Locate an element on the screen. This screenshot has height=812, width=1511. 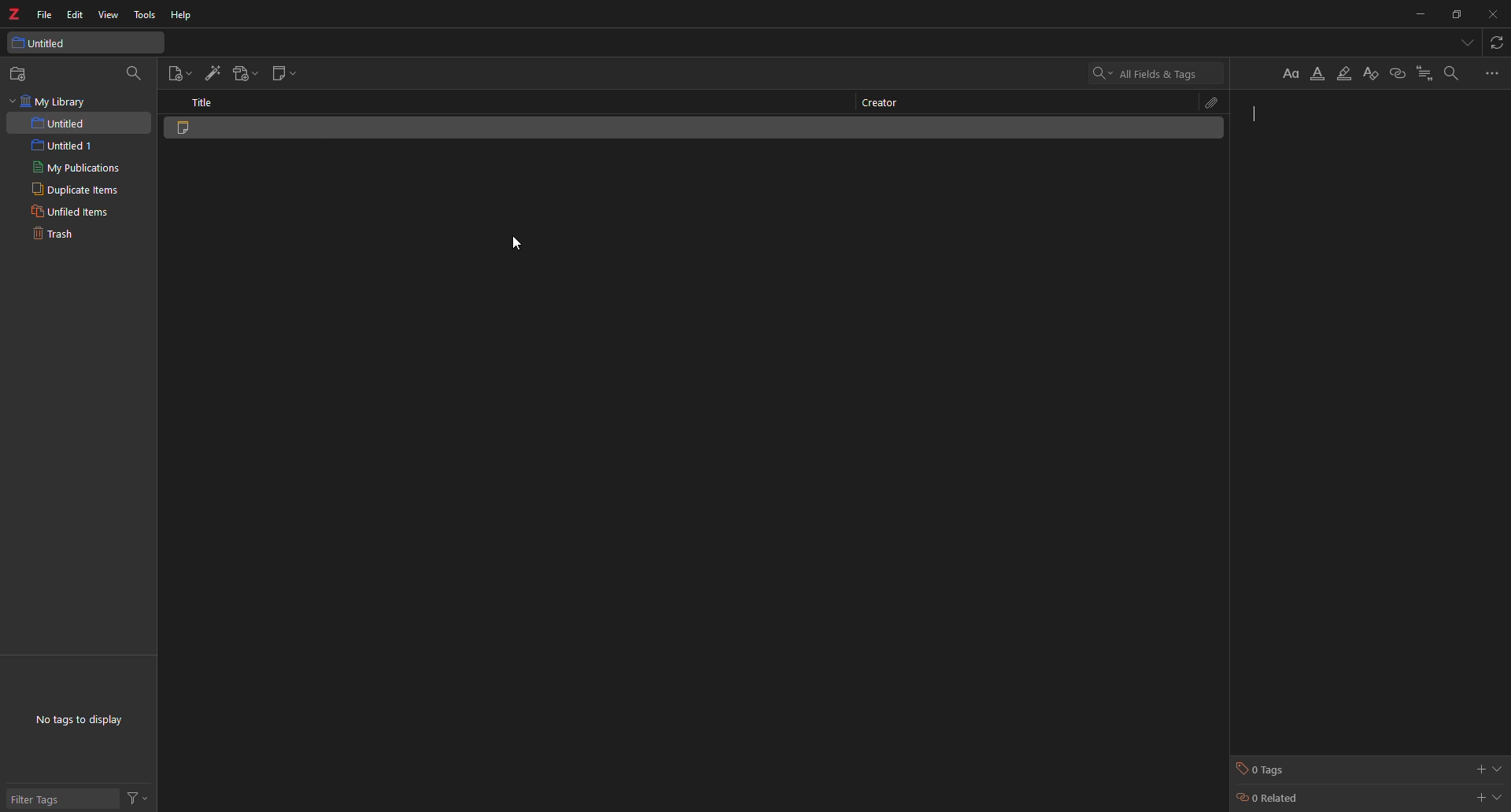
format text is located at coordinates (1284, 72).